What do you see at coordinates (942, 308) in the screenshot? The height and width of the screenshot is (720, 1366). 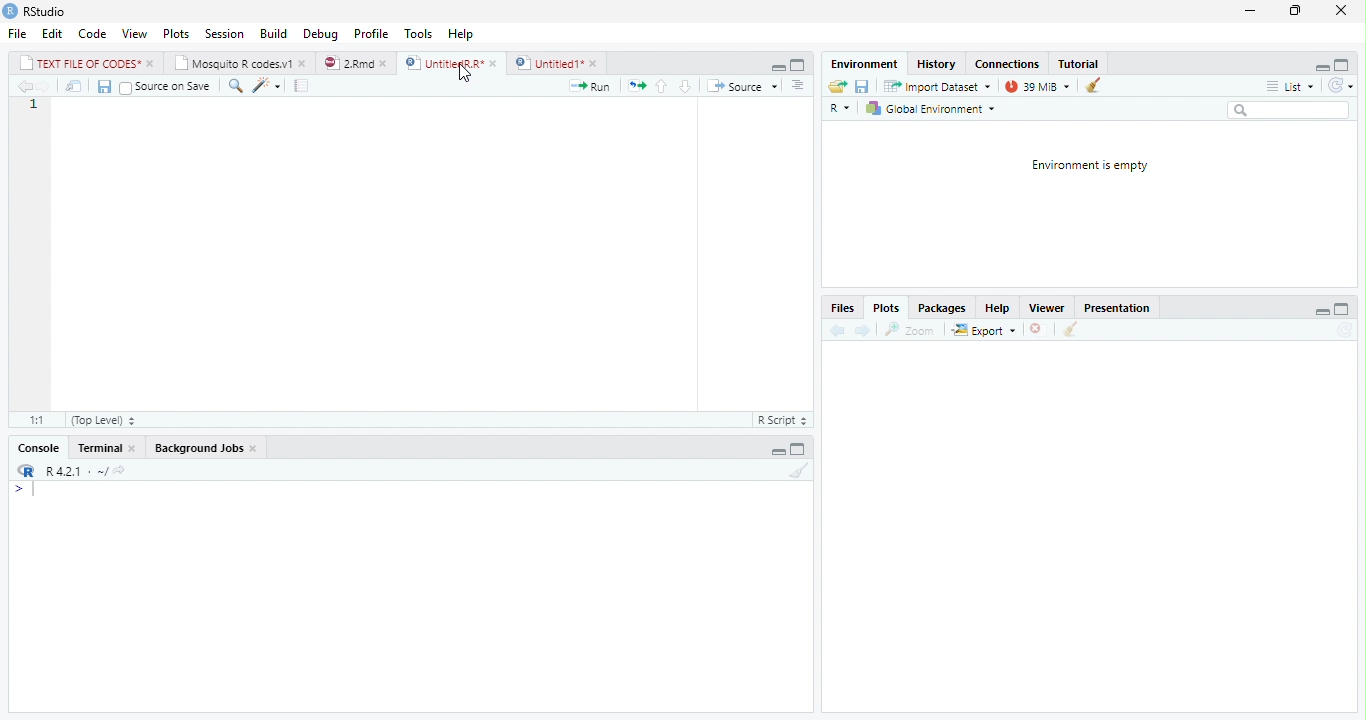 I see `Packages` at bounding box center [942, 308].